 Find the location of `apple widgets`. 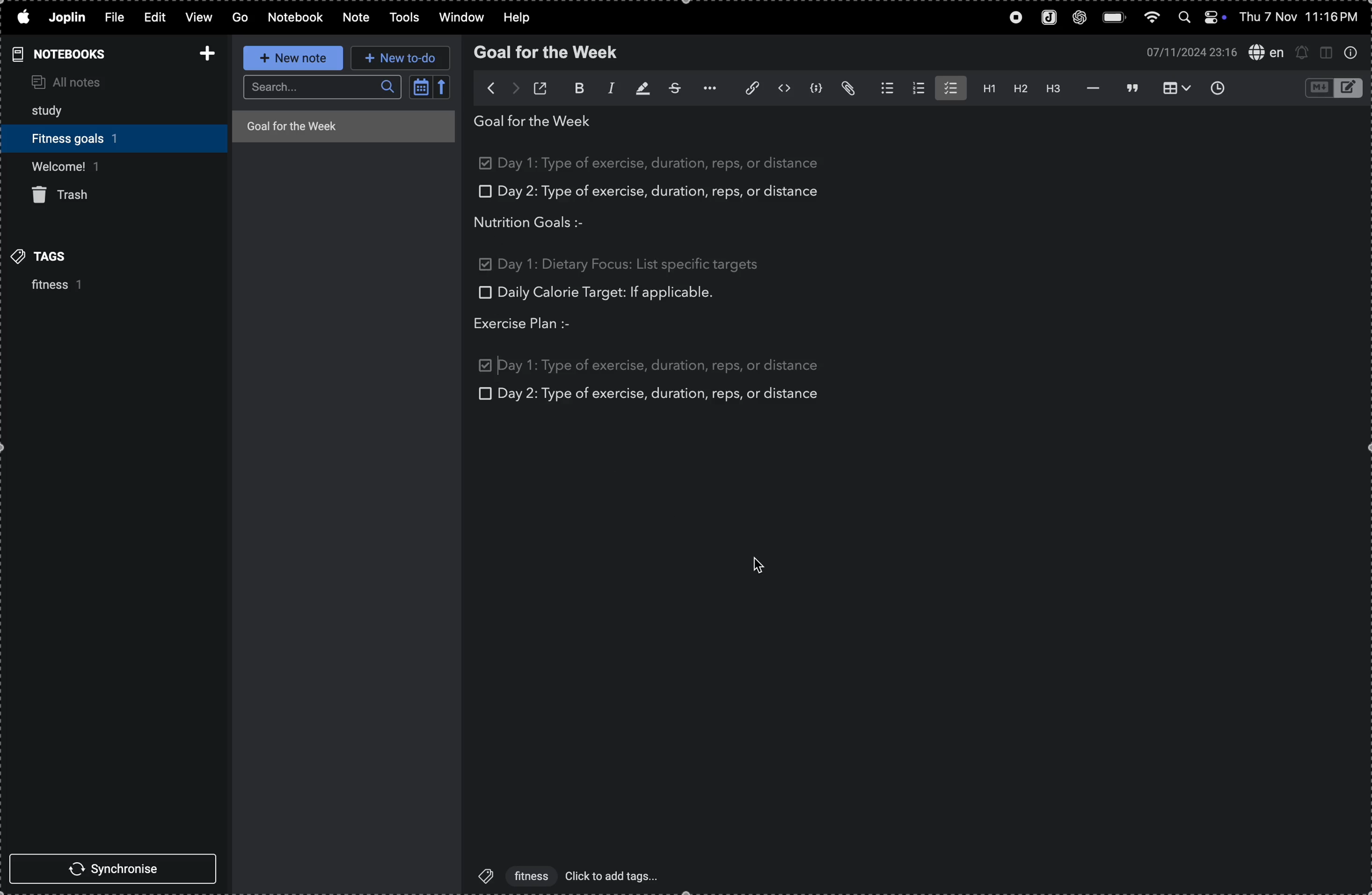

apple widgets is located at coordinates (1205, 17).